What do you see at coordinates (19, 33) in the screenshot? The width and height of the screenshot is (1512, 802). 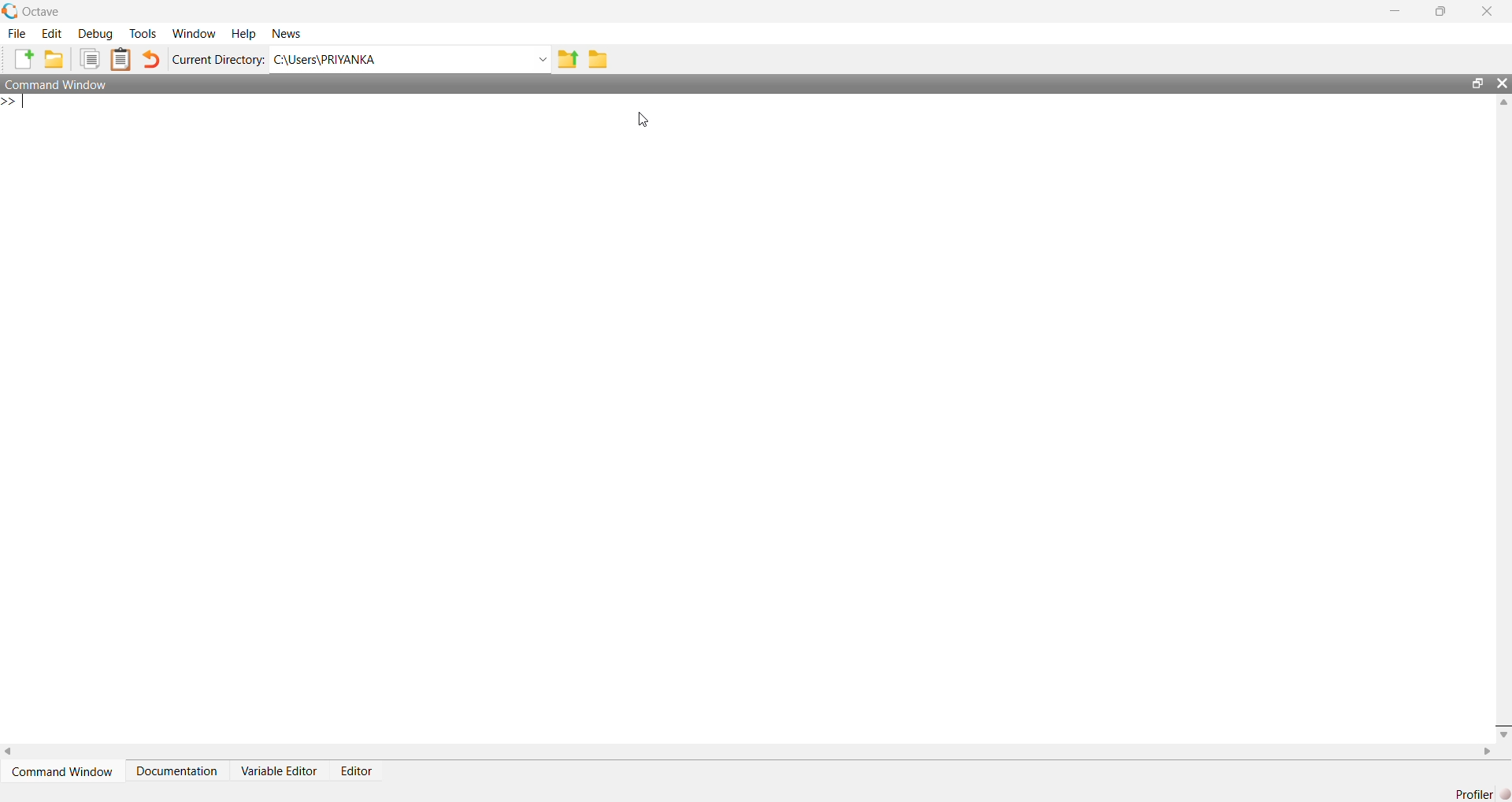 I see `File` at bounding box center [19, 33].